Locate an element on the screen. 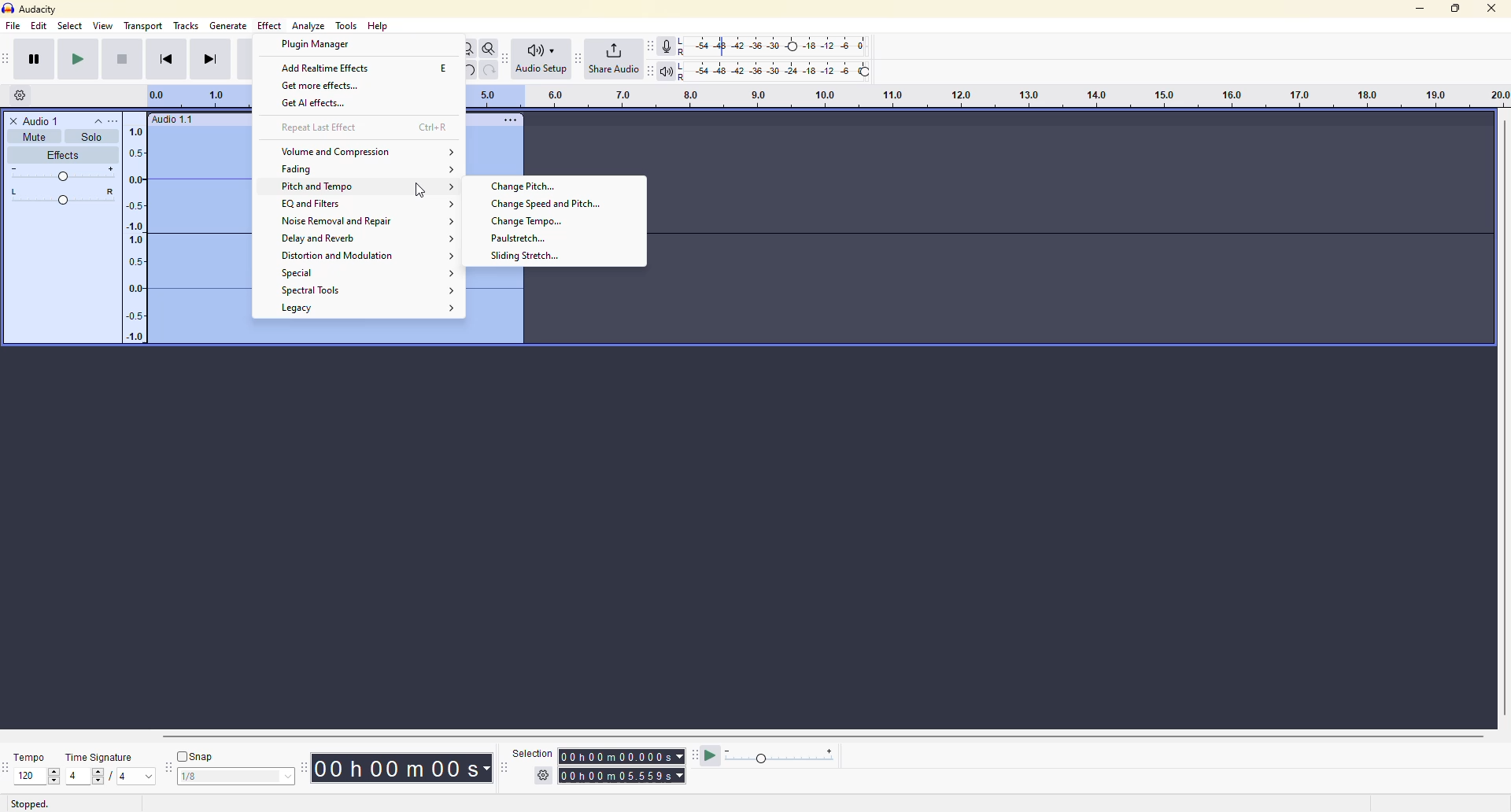 This screenshot has height=812, width=1511. time signature is located at coordinates (101, 757).